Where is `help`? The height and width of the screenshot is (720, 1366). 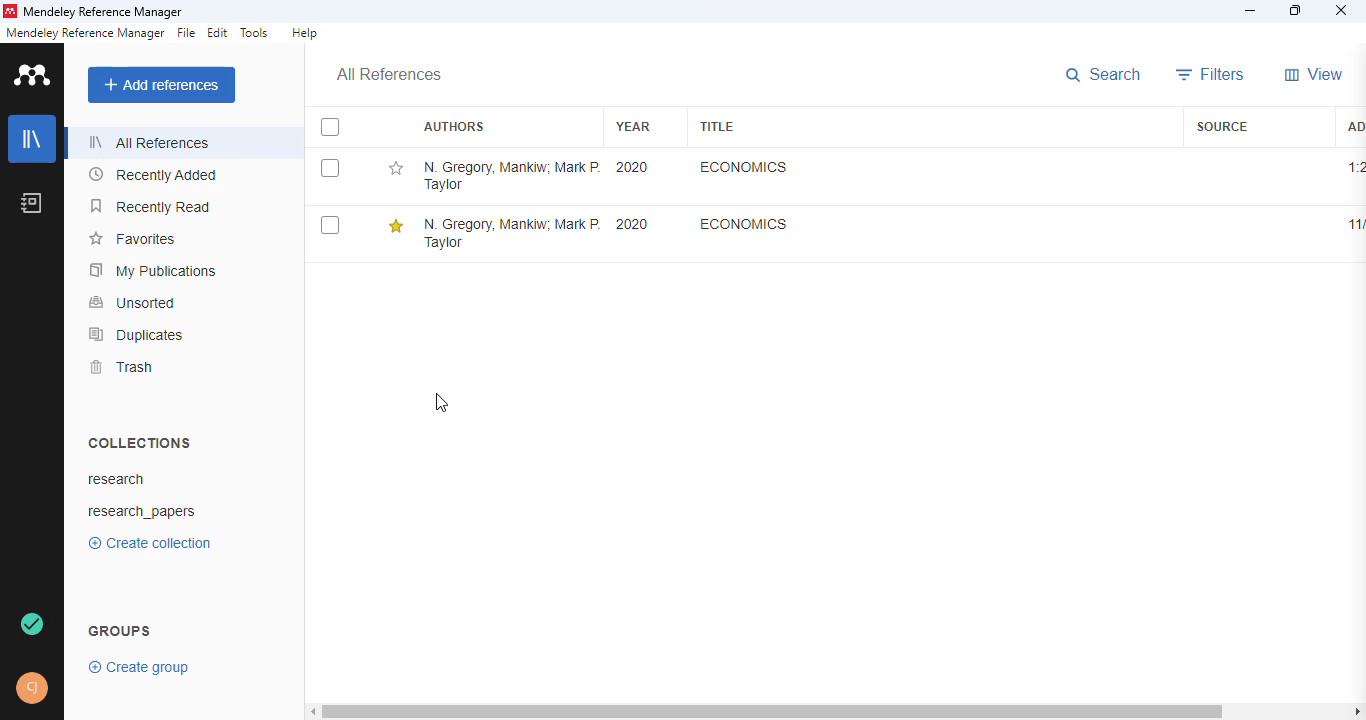 help is located at coordinates (306, 32).